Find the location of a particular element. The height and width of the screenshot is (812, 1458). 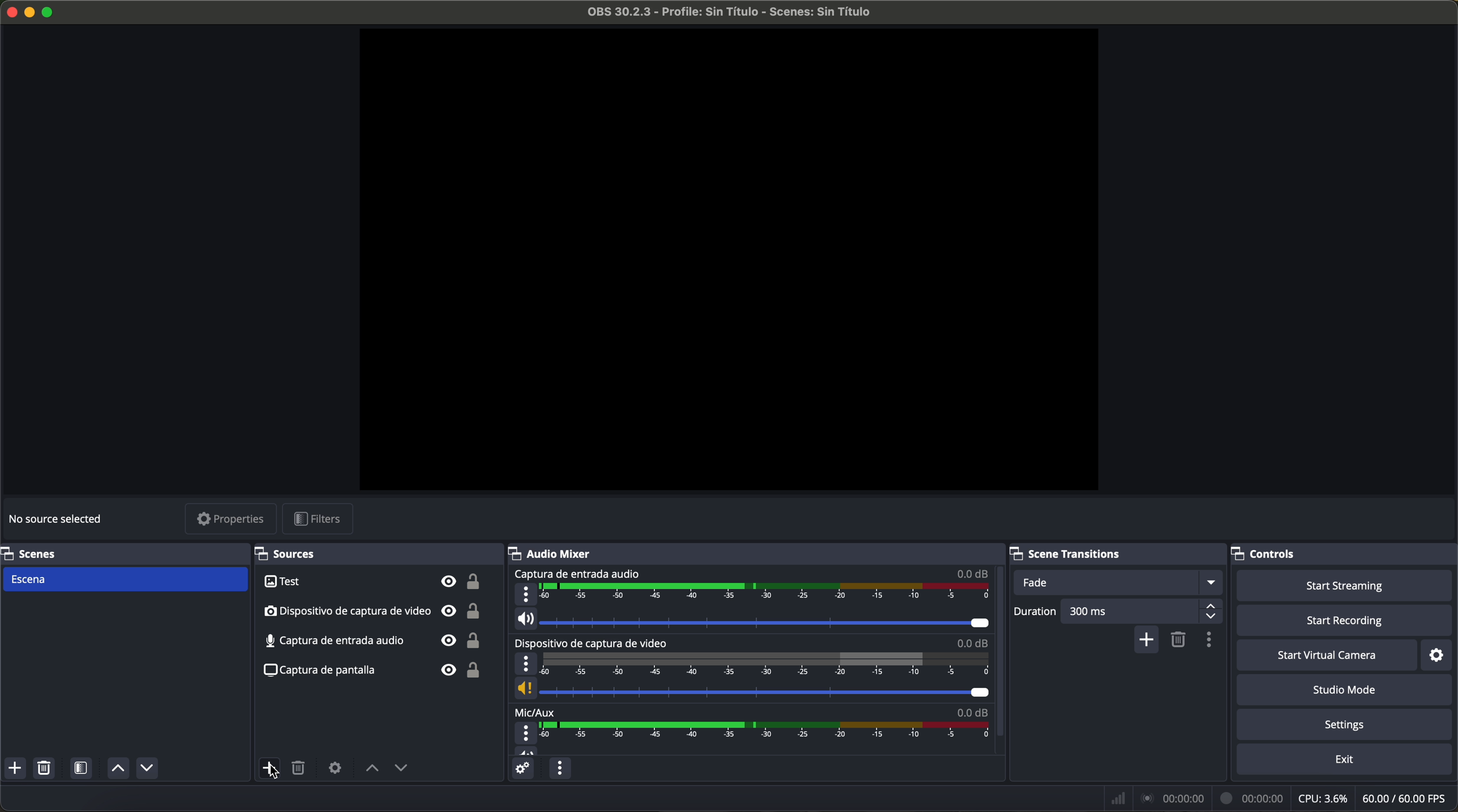

video capture device is located at coordinates (375, 612).